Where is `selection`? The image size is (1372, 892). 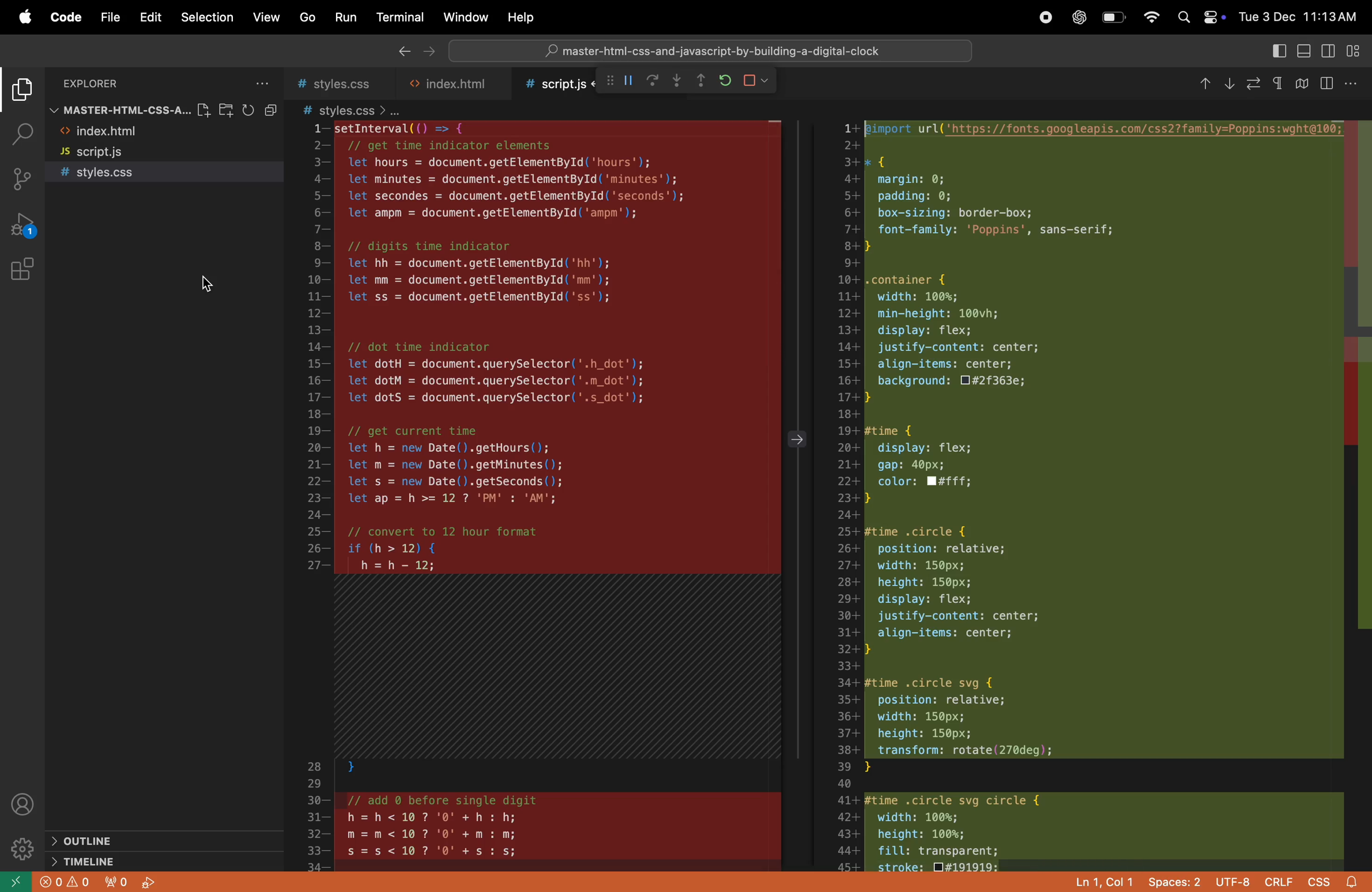
selection is located at coordinates (208, 18).